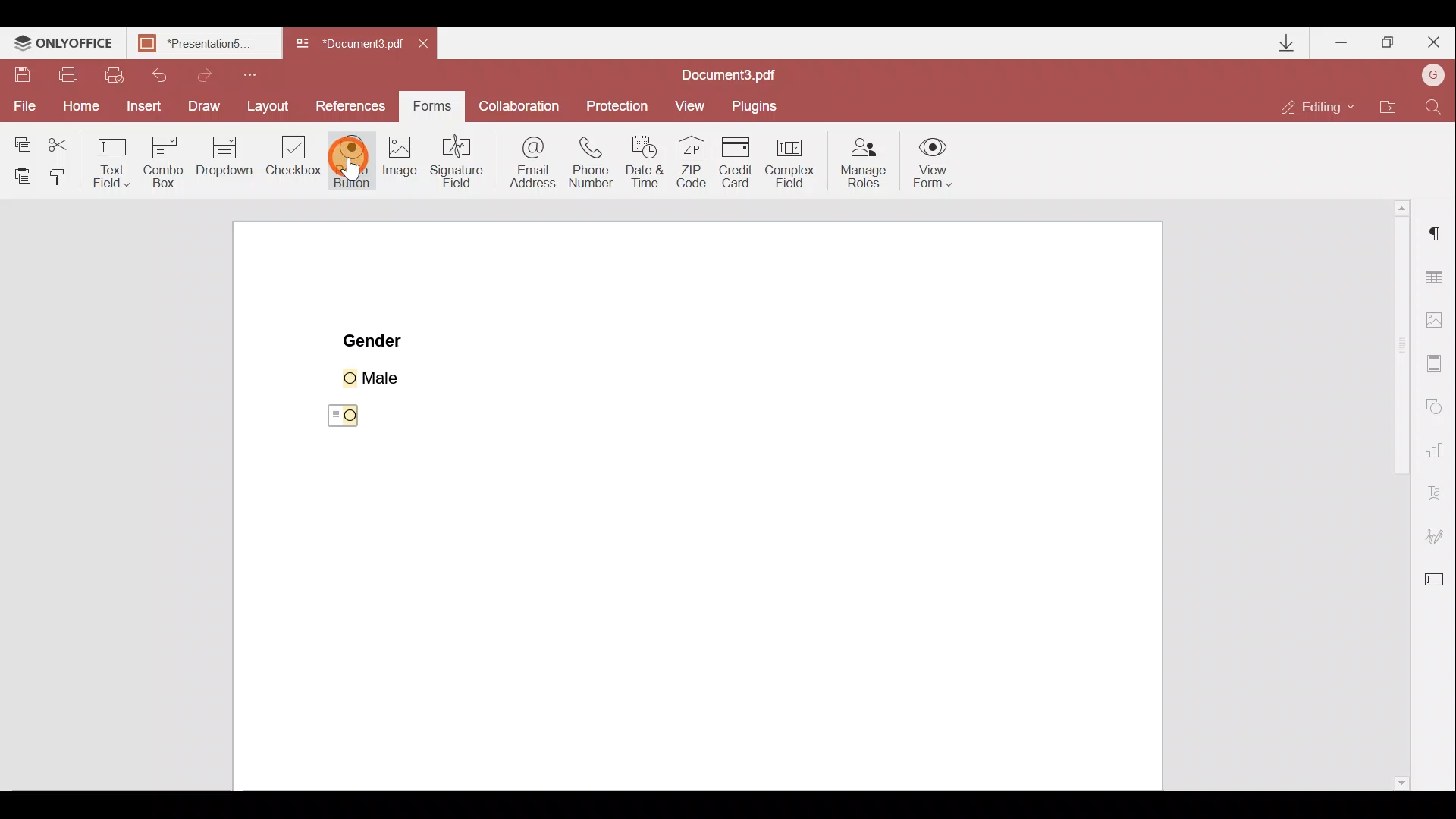 This screenshot has height=819, width=1456. I want to click on Layout, so click(271, 108).